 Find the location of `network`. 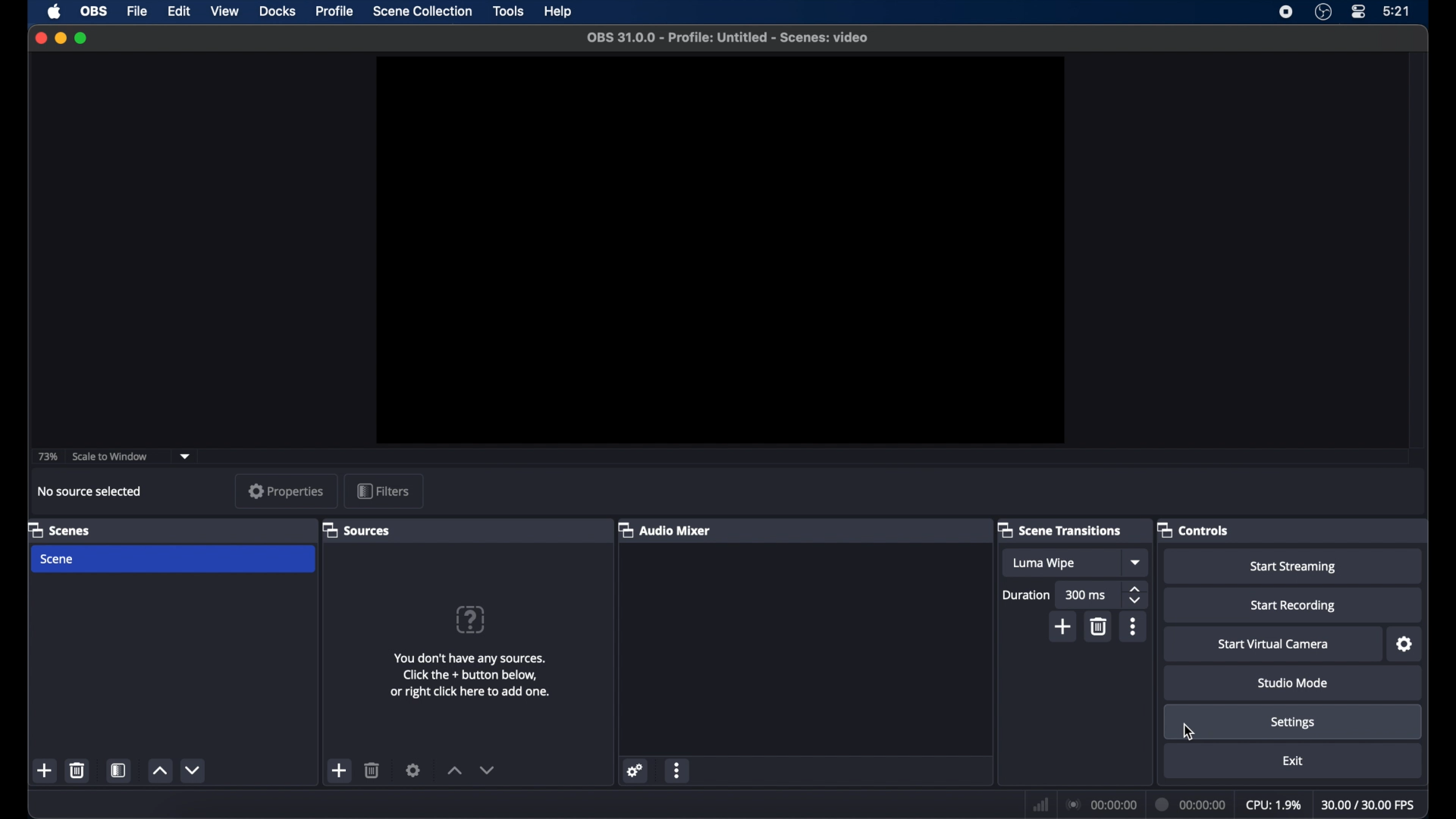

network is located at coordinates (1040, 804).